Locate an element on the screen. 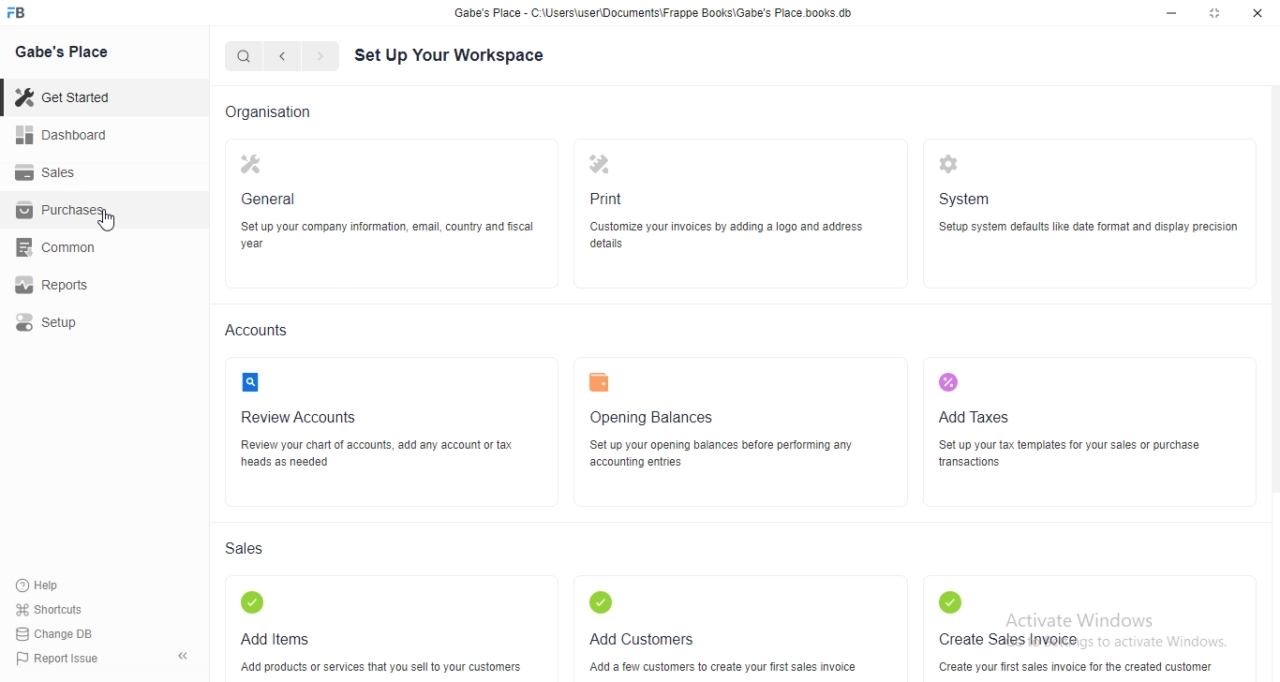  System Setup system defaults like date format and display precision is located at coordinates (1090, 212).